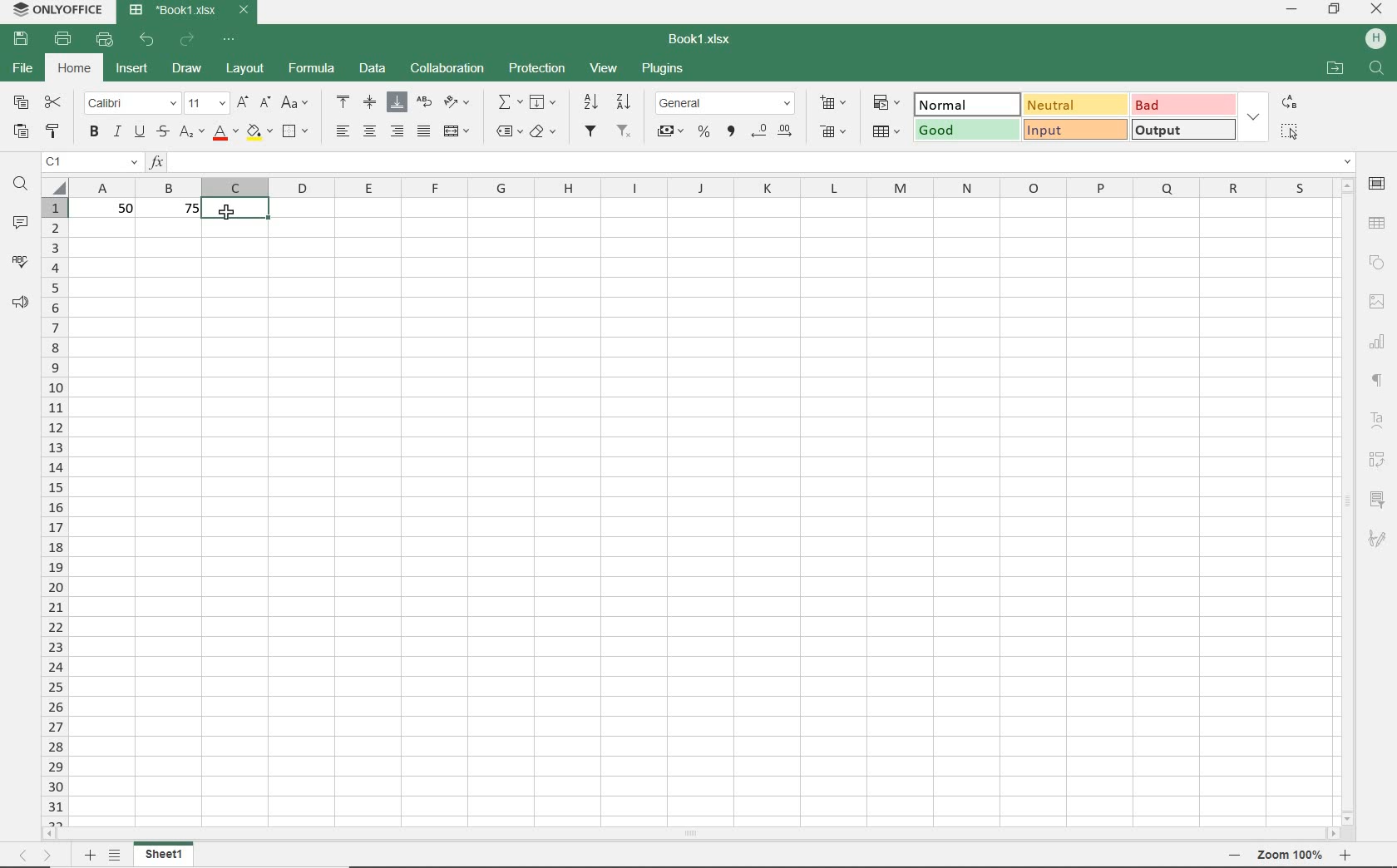  Describe the element at coordinates (140, 134) in the screenshot. I see `underline` at that location.